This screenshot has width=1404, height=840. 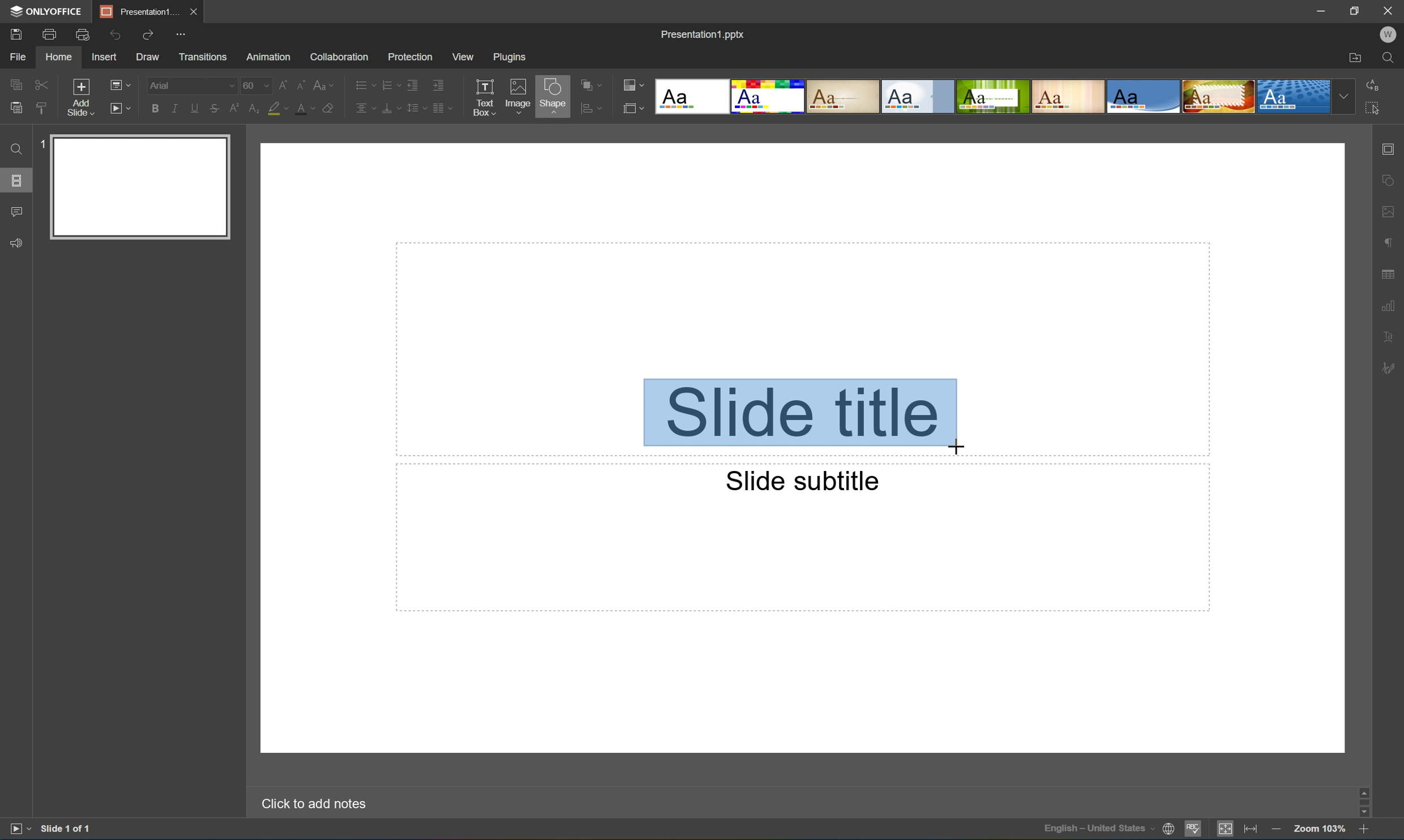 What do you see at coordinates (1003, 97) in the screenshot?
I see `Type of slides` at bounding box center [1003, 97].